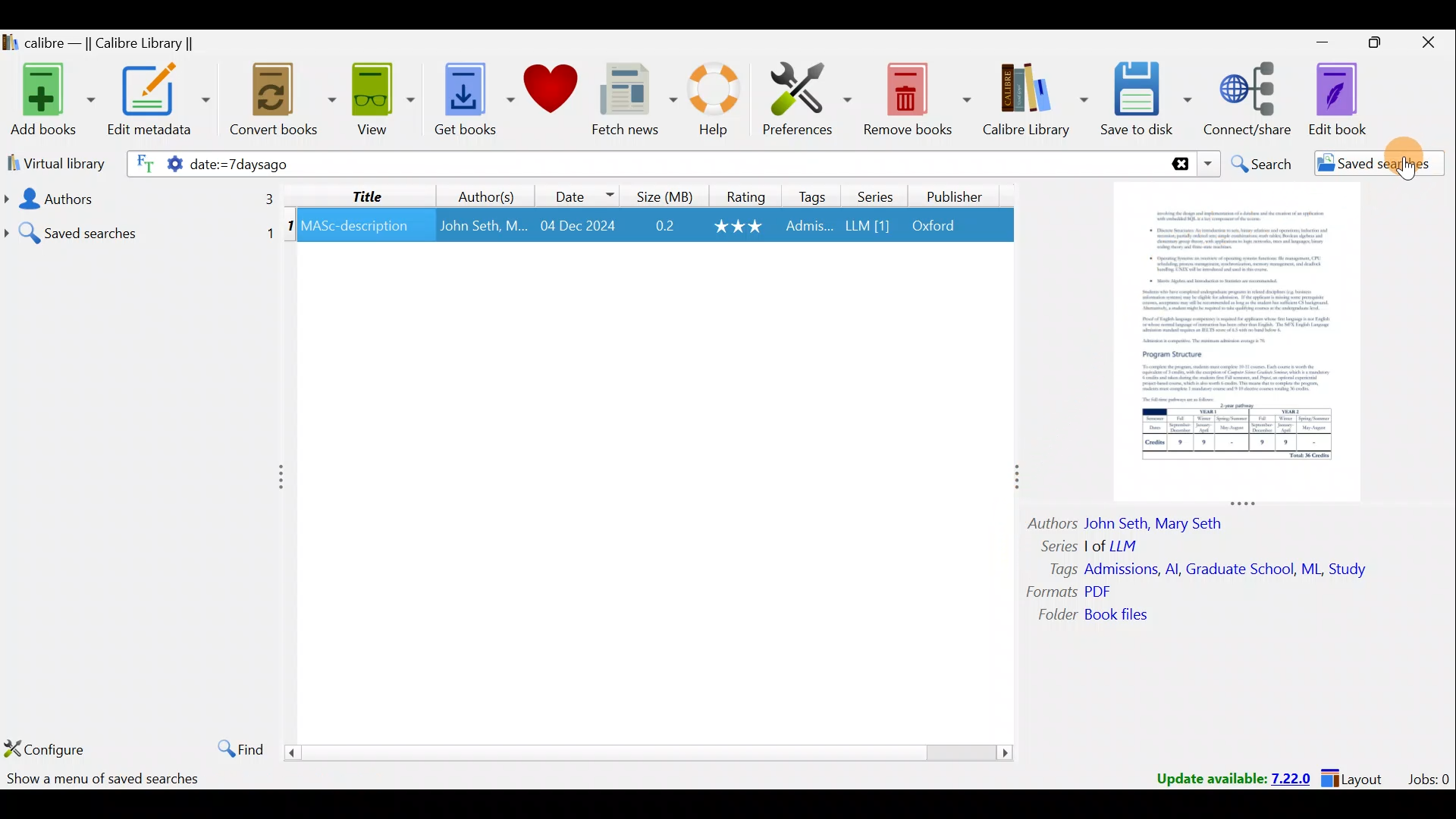 This screenshot has width=1456, height=819. I want to click on Minimize, so click(1314, 42).